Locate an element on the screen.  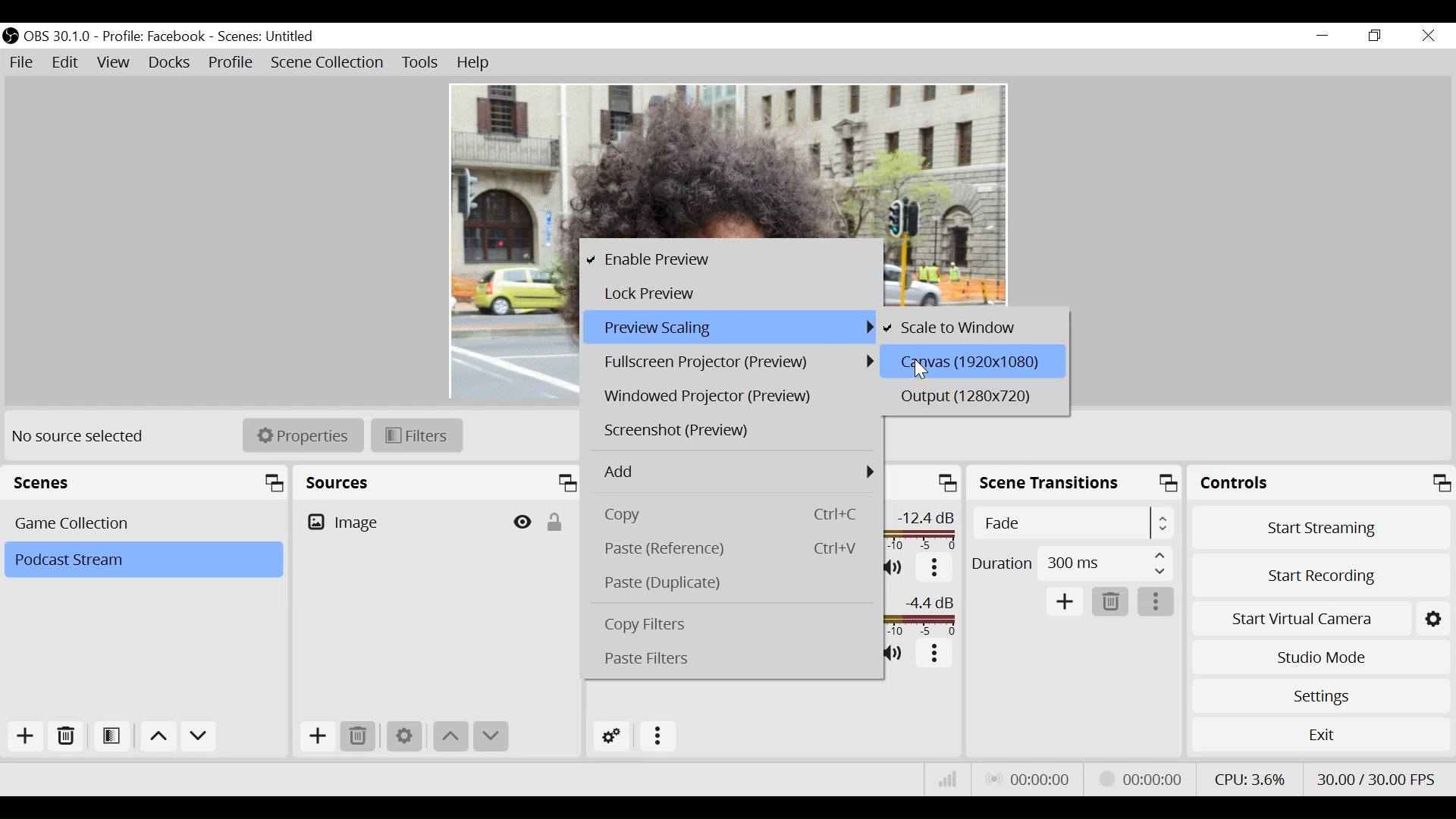
Add is located at coordinates (734, 469).